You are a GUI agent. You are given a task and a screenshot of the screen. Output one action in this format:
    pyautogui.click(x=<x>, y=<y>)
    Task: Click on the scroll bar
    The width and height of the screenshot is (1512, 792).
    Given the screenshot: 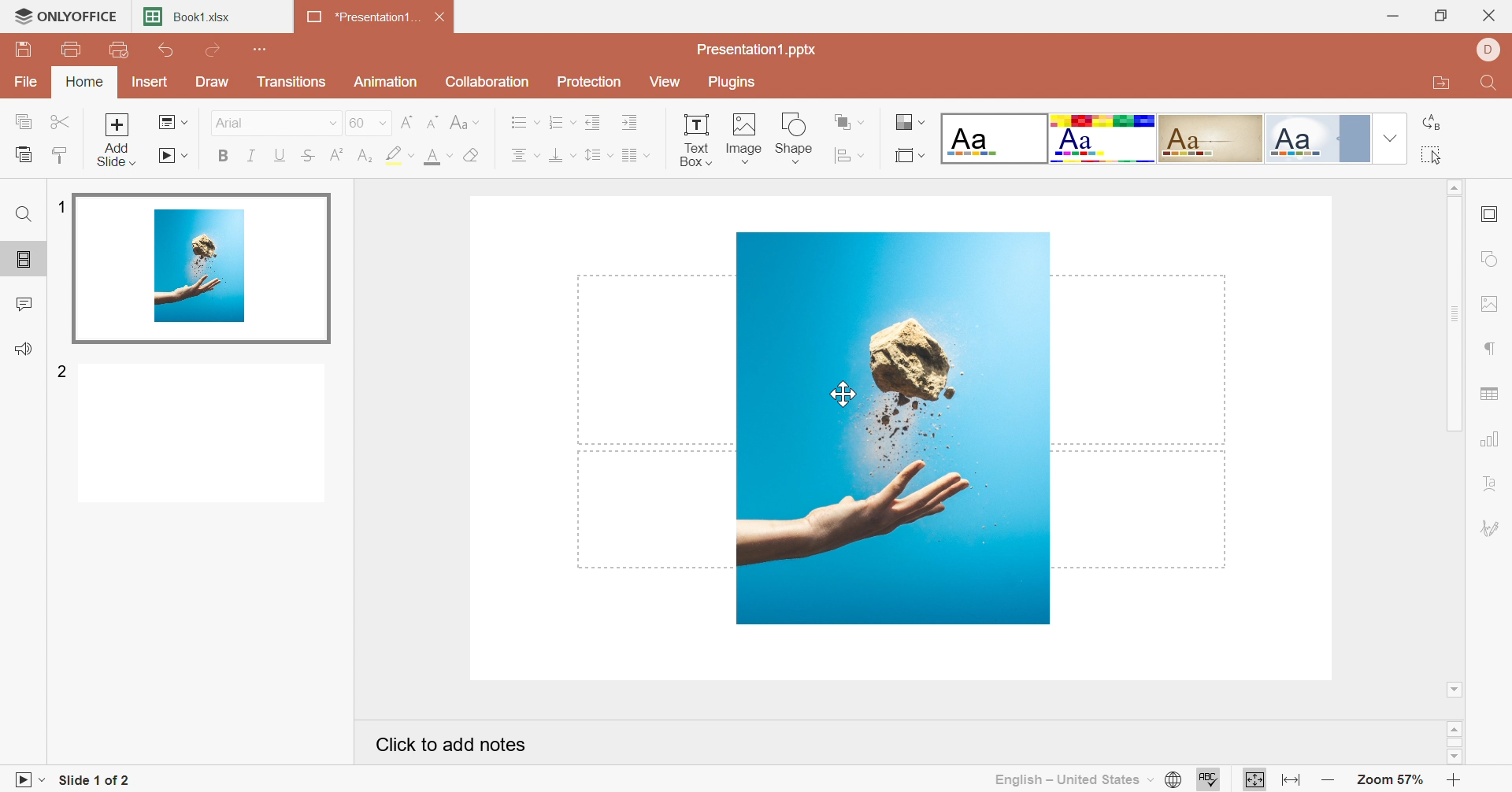 What is the action you would take?
    pyautogui.click(x=1455, y=742)
    